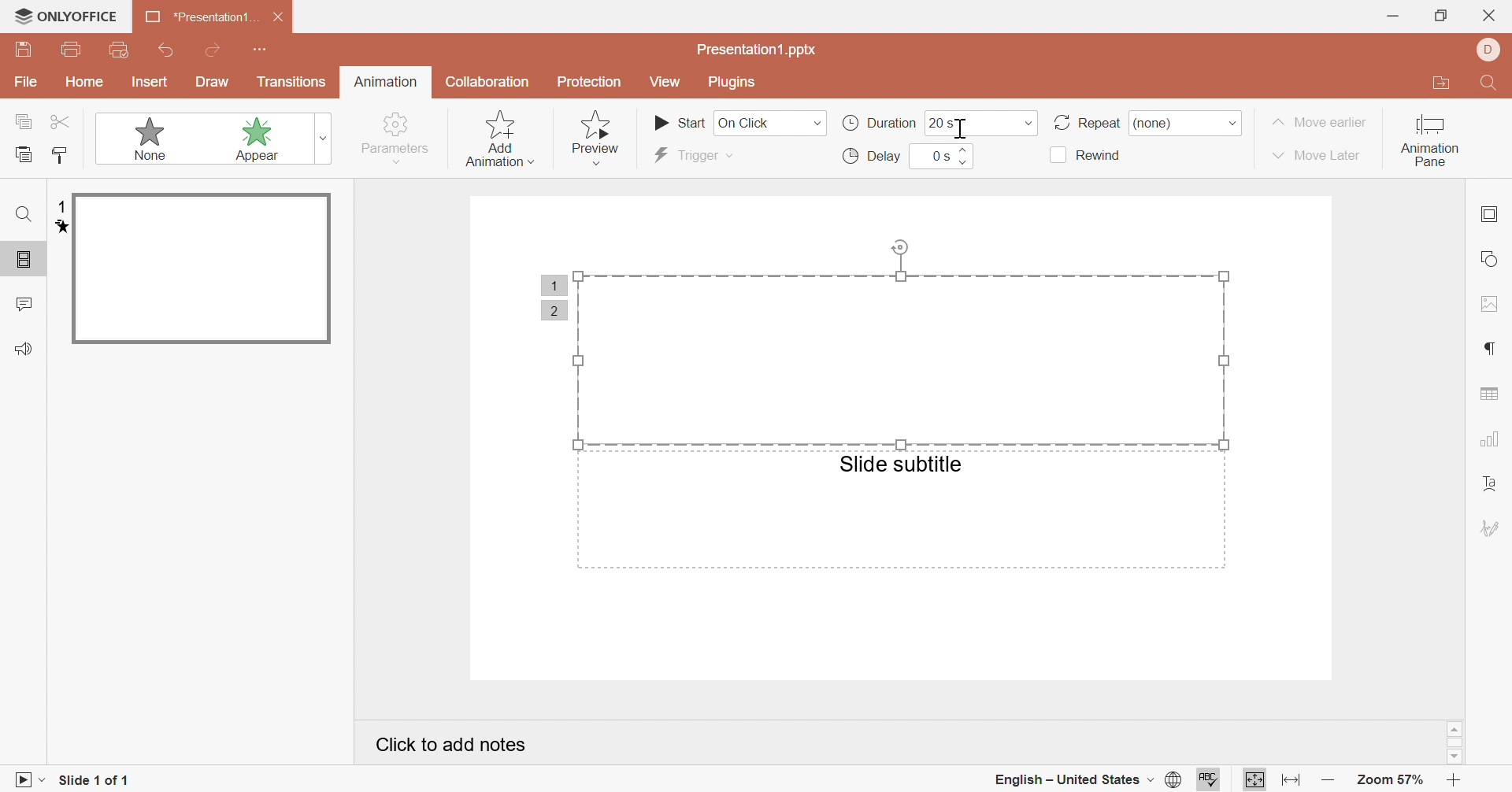 This screenshot has width=1512, height=792. What do you see at coordinates (61, 122) in the screenshot?
I see `cut` at bounding box center [61, 122].